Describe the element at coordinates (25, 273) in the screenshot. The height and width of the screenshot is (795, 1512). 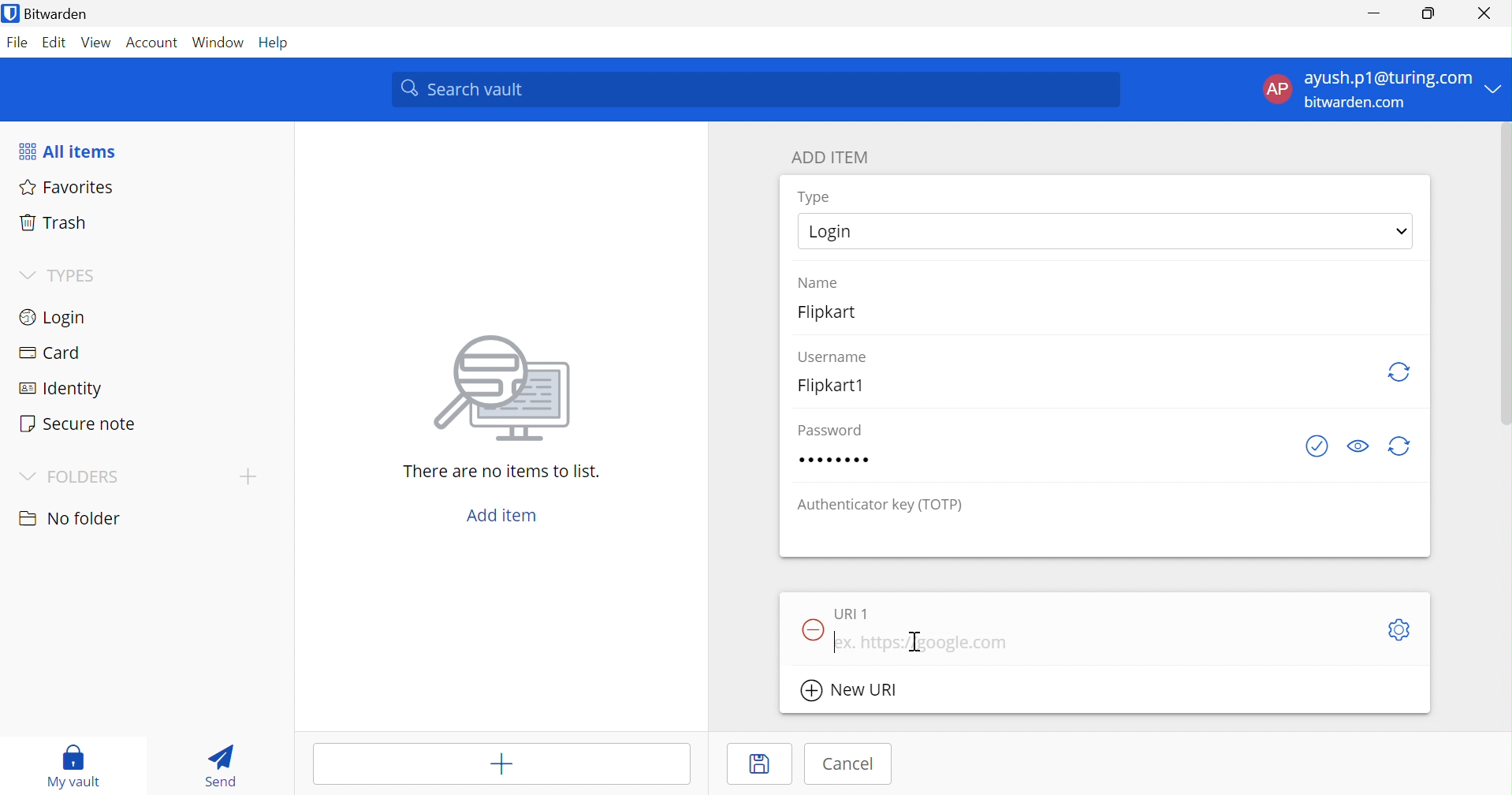
I see `Drop Down` at that location.